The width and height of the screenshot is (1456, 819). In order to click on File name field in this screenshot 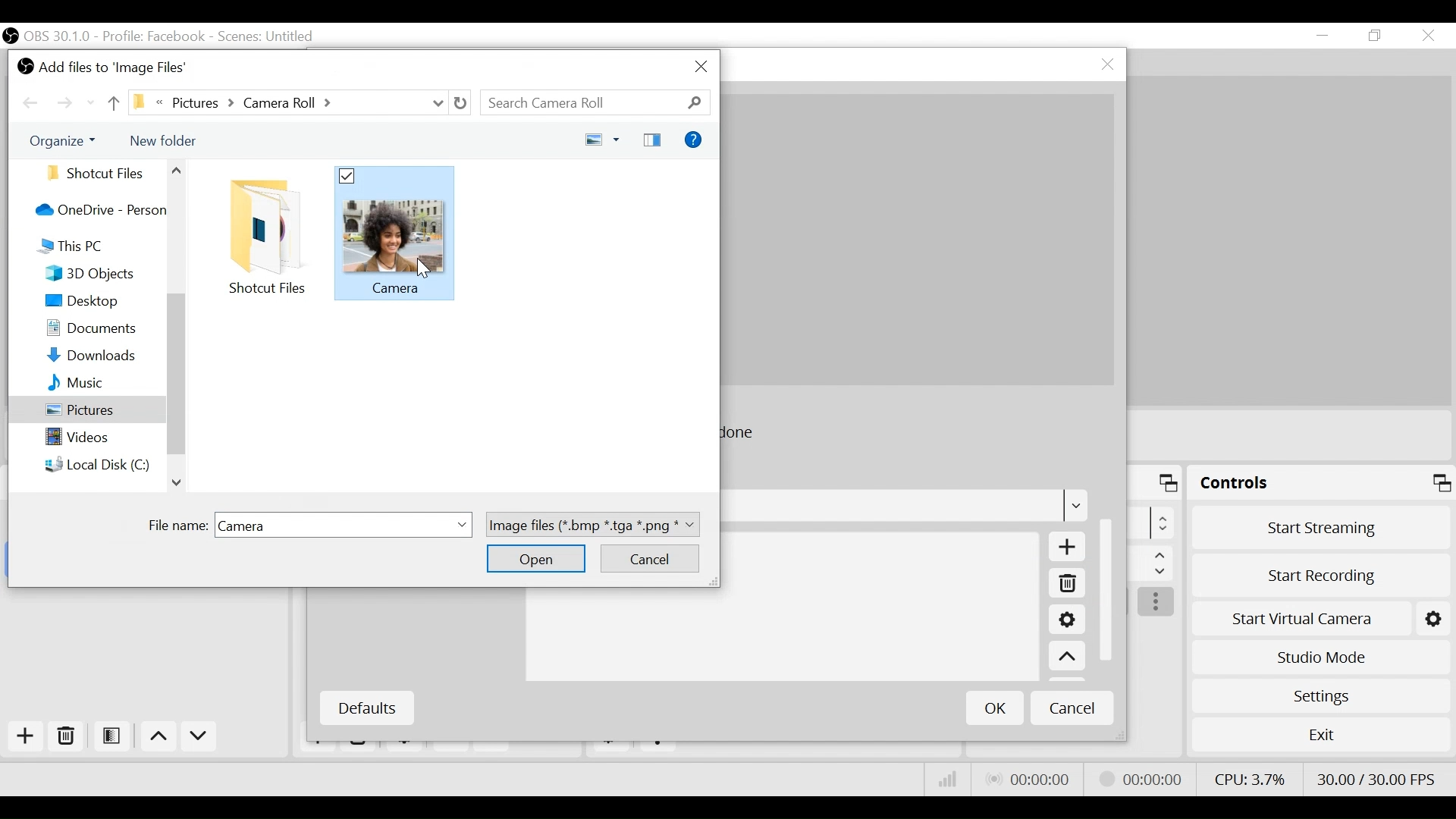, I will do `click(310, 524)`.